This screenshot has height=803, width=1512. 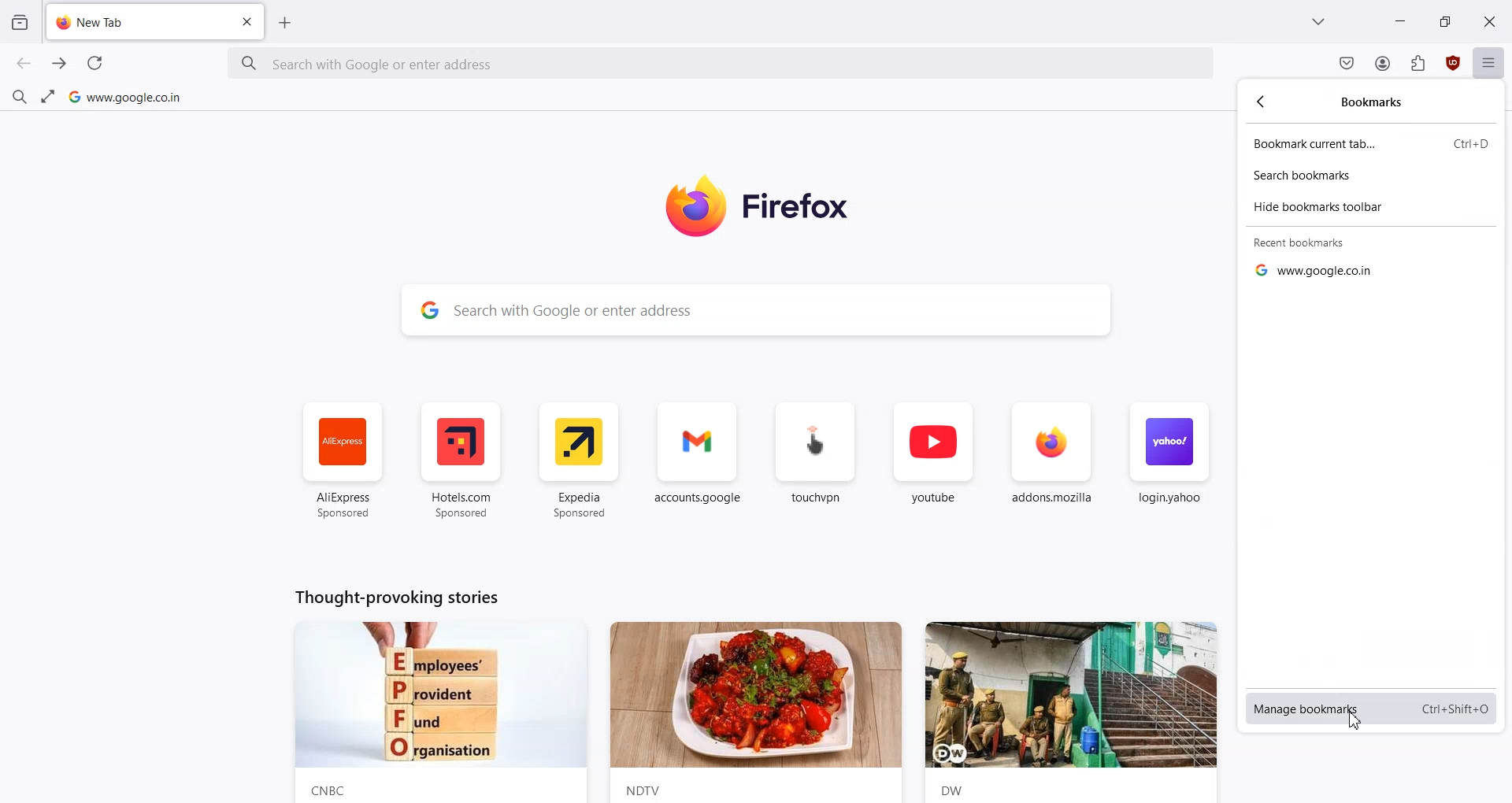 What do you see at coordinates (20, 24) in the screenshot?
I see `View Recent browsing` at bounding box center [20, 24].